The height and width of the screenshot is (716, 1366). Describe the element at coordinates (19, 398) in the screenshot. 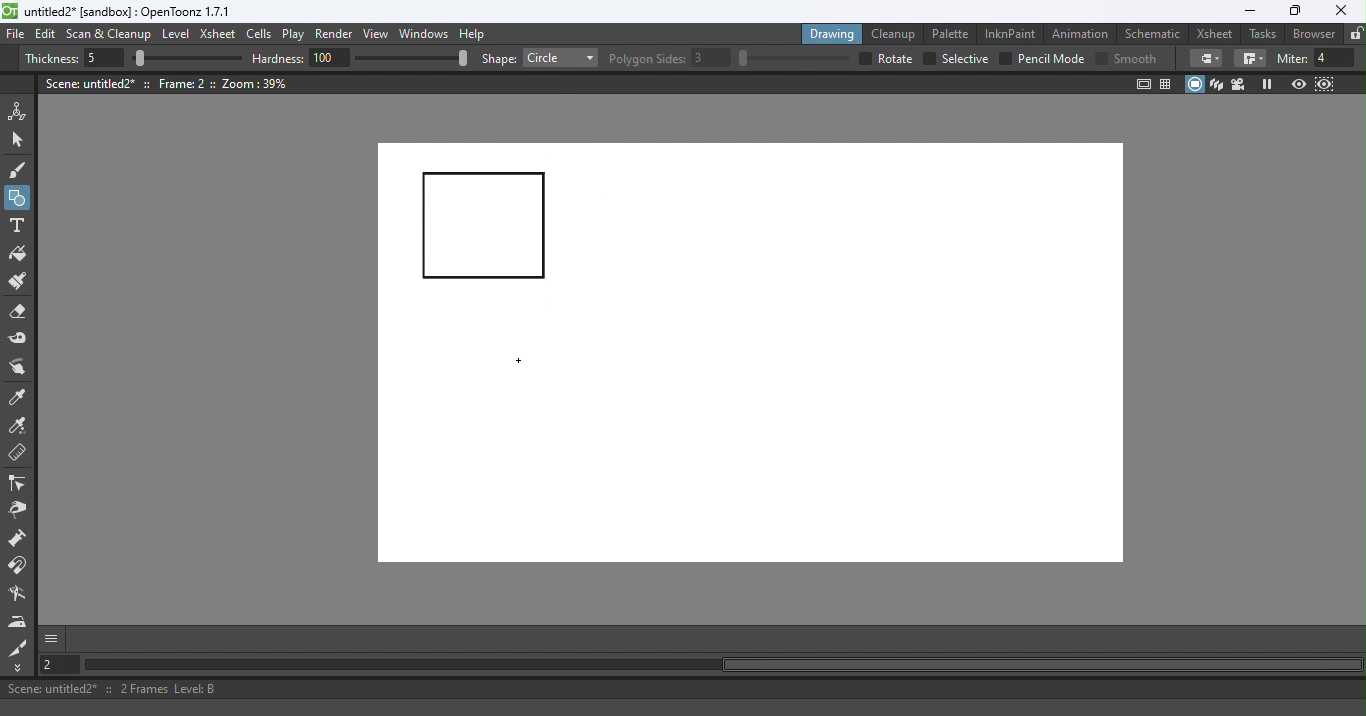

I see `Style picker tool` at that location.